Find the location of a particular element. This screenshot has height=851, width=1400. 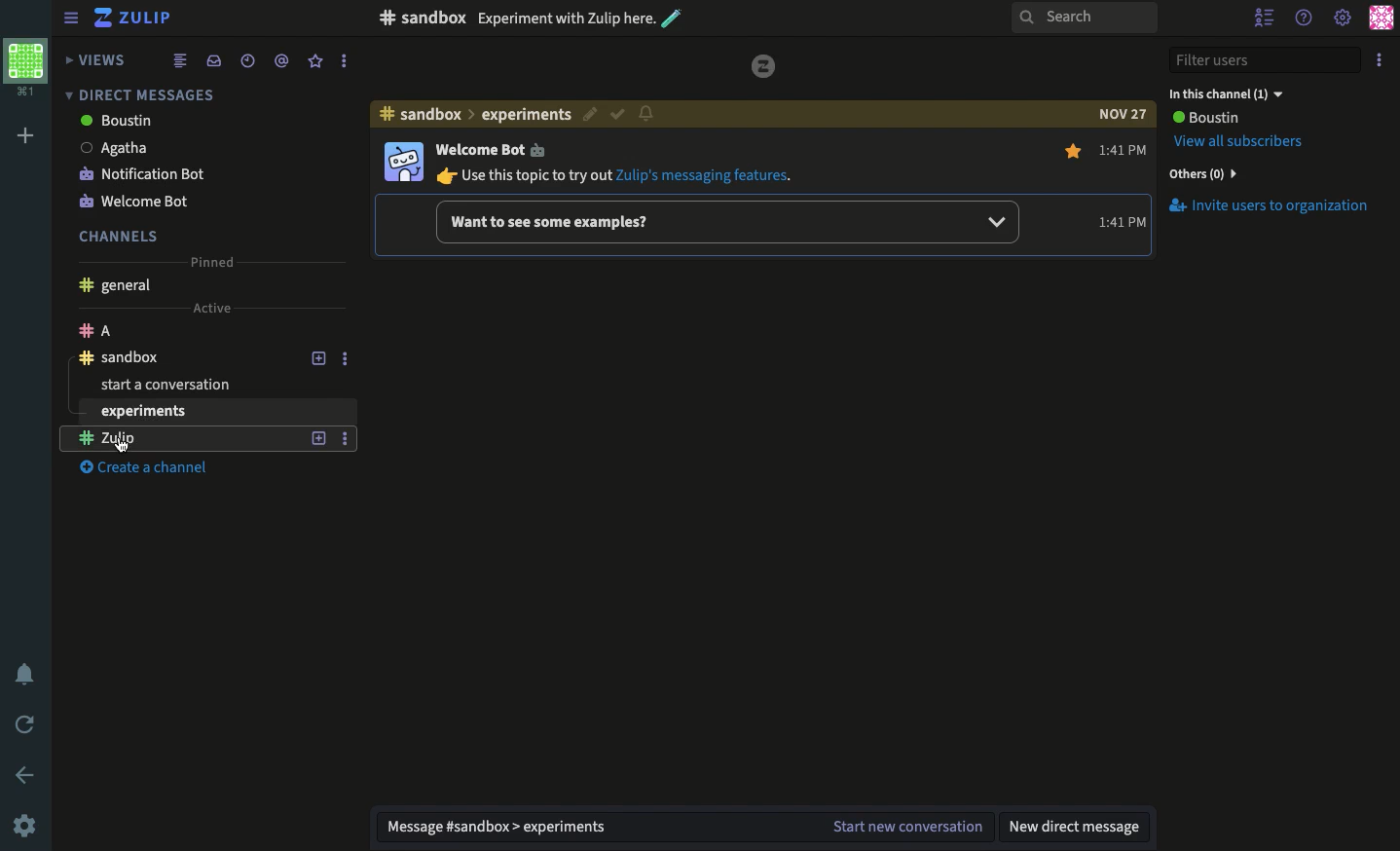

Refresh is located at coordinates (26, 722).